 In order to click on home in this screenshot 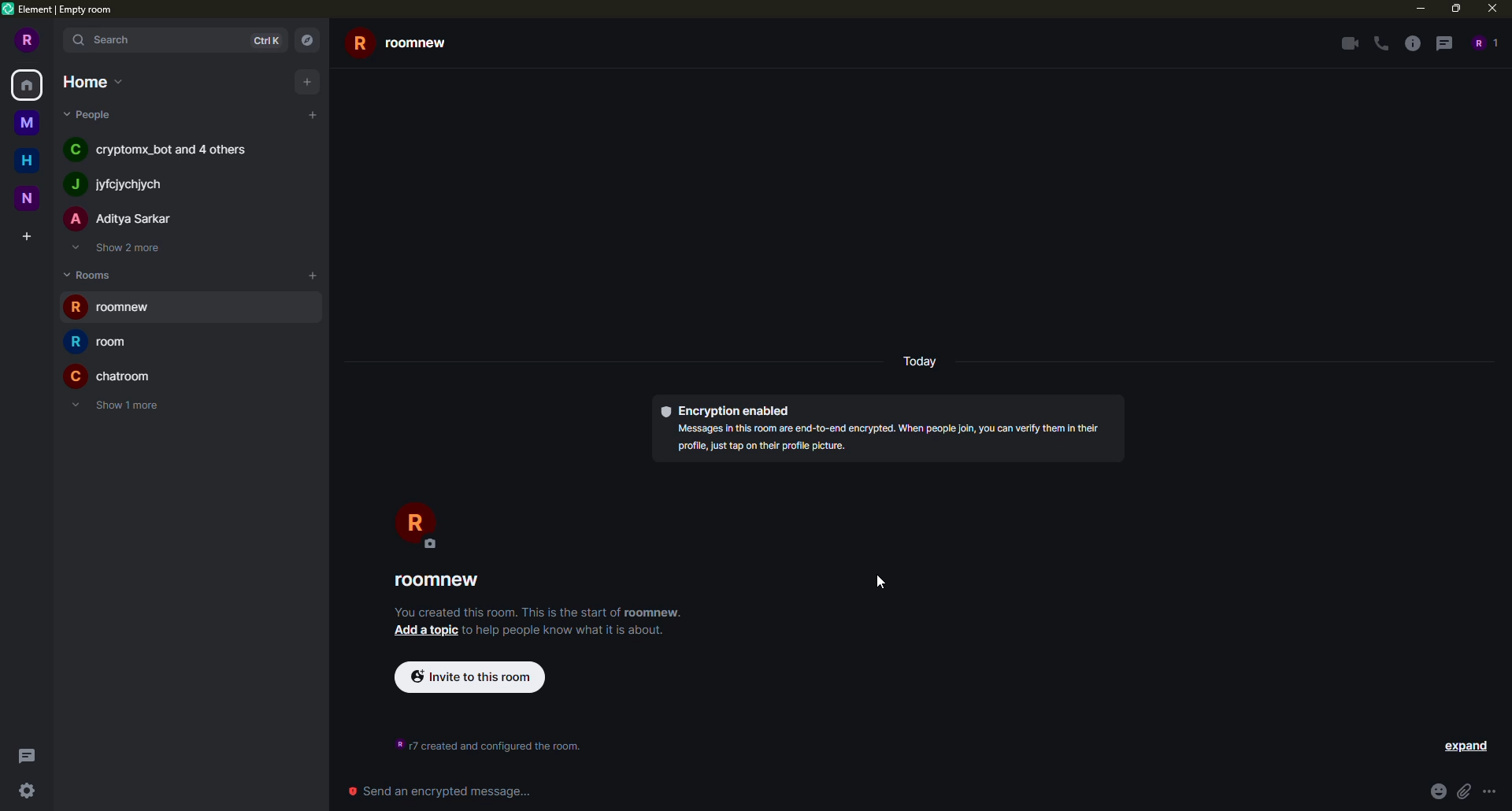, I will do `click(27, 86)`.